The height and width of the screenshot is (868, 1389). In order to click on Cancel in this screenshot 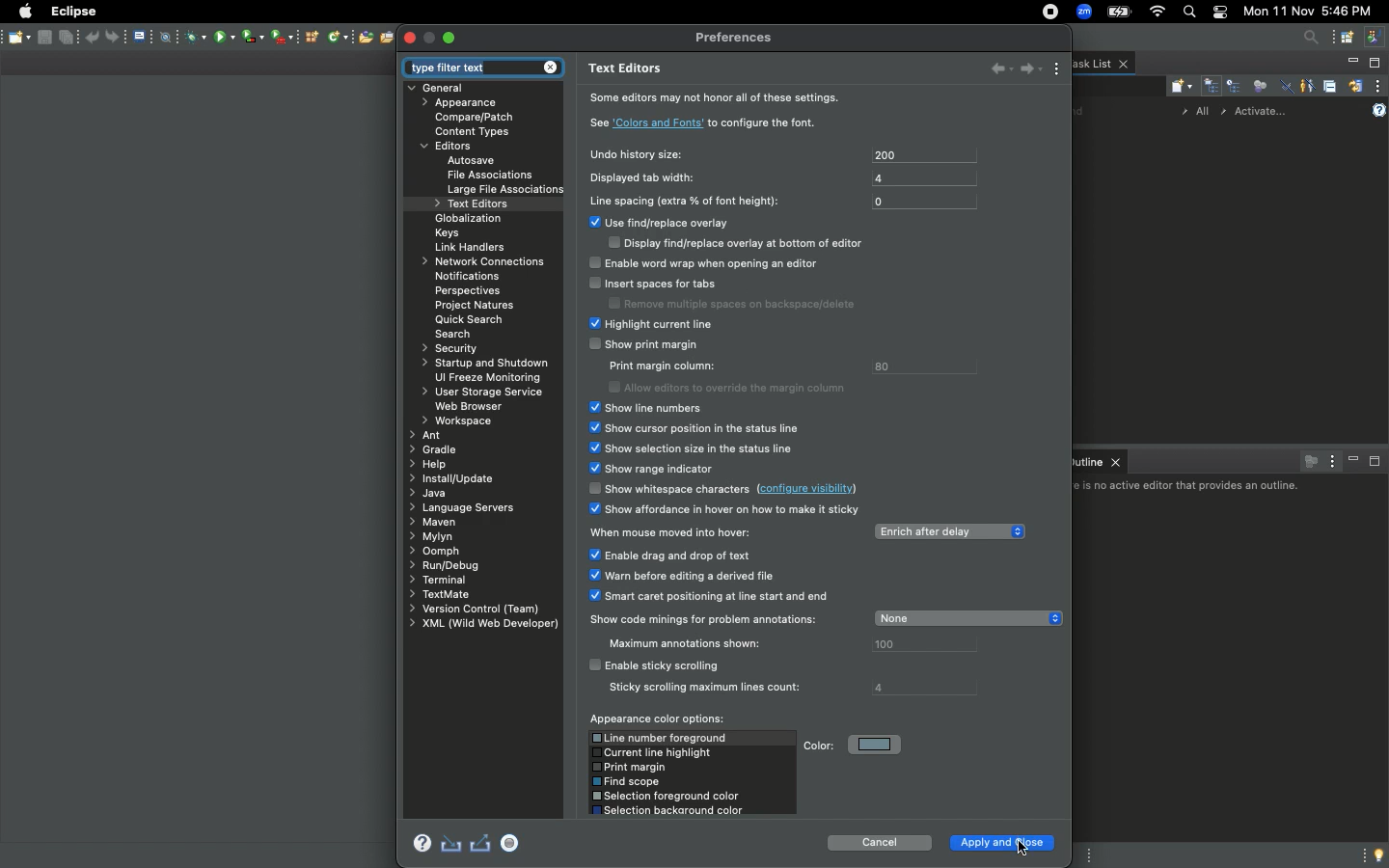, I will do `click(881, 840)`.